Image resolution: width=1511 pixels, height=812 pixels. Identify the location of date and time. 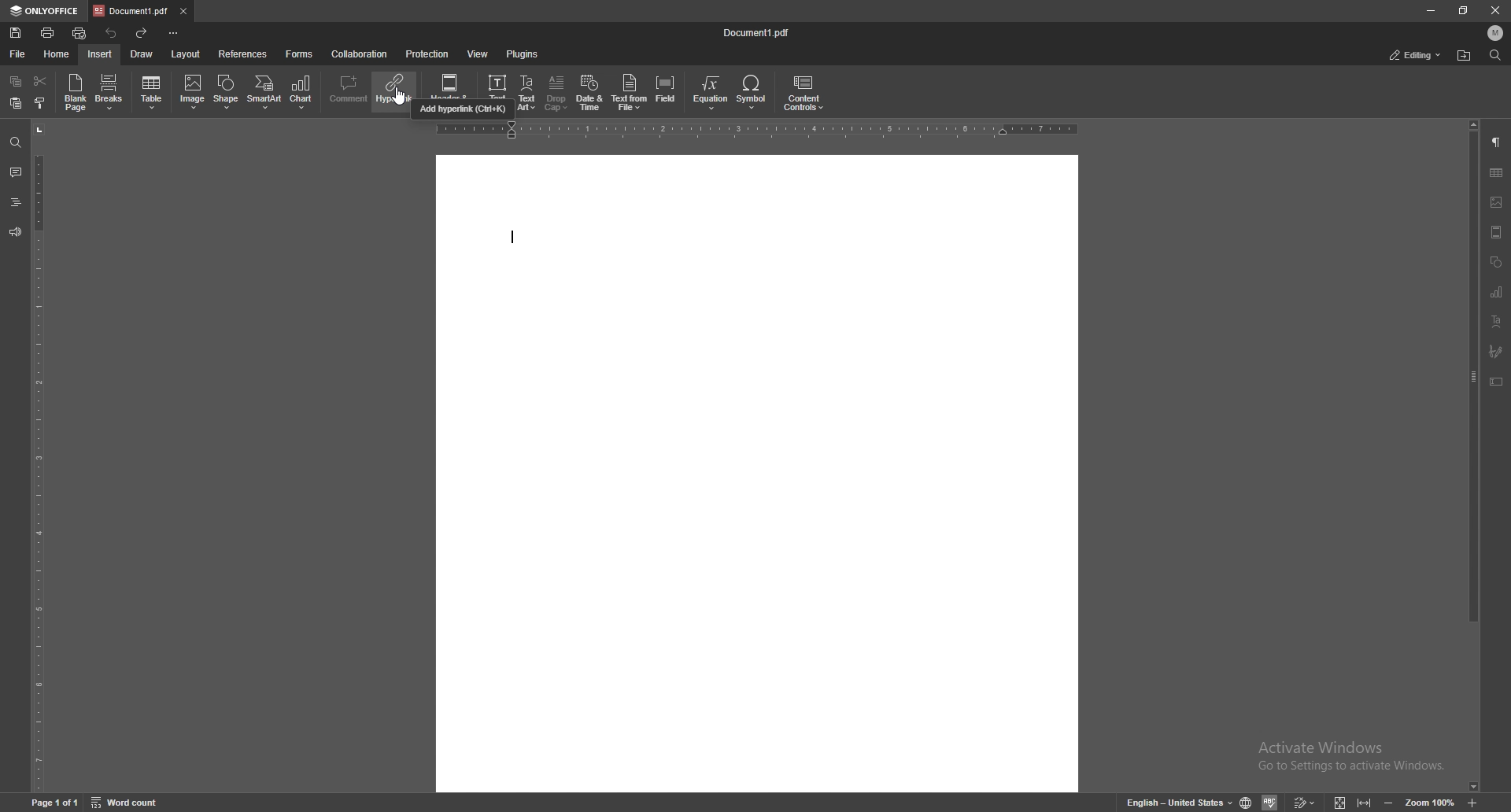
(590, 93).